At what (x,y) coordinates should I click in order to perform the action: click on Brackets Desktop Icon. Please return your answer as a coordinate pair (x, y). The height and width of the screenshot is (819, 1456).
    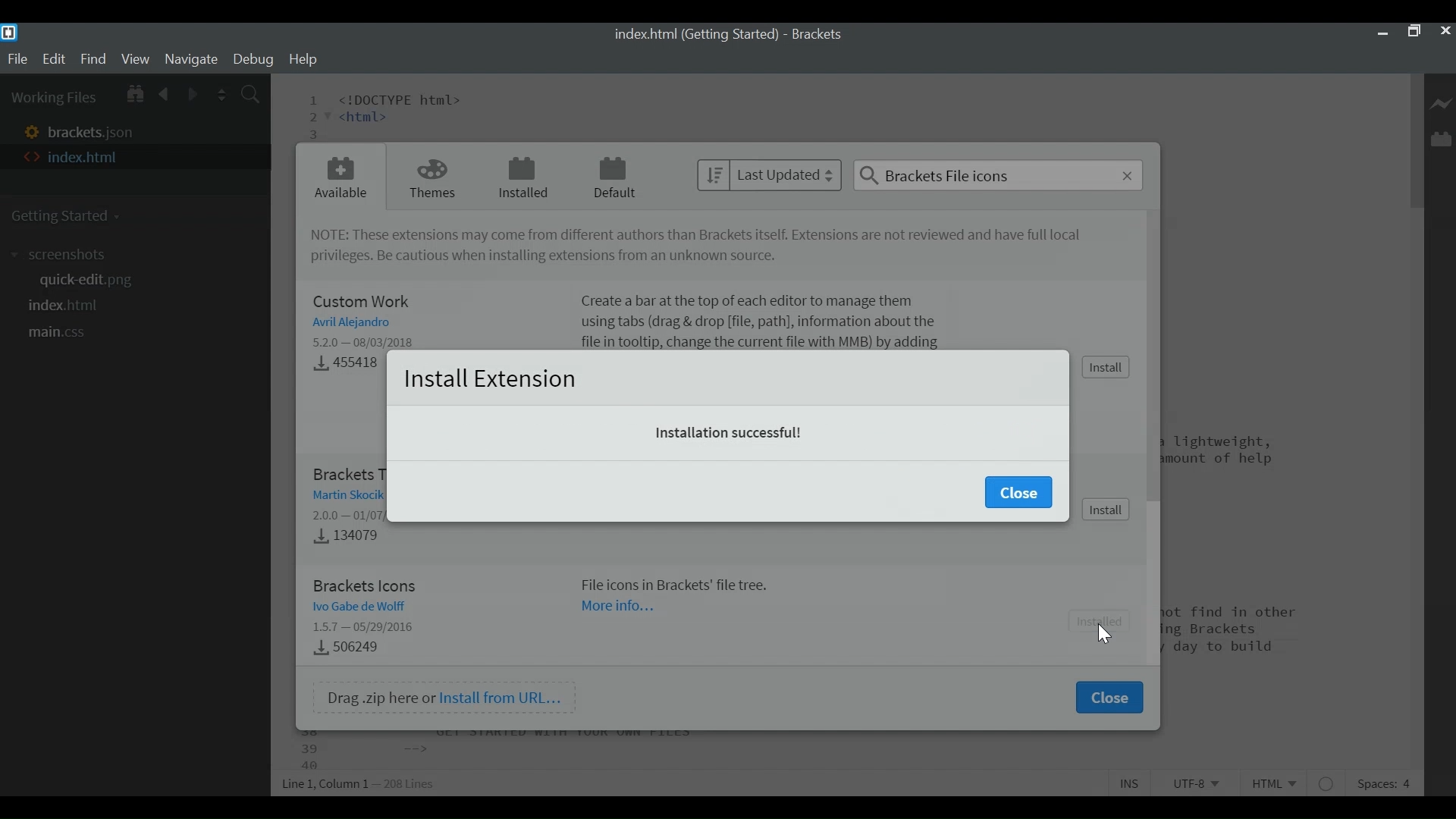
    Looking at the image, I should click on (12, 33).